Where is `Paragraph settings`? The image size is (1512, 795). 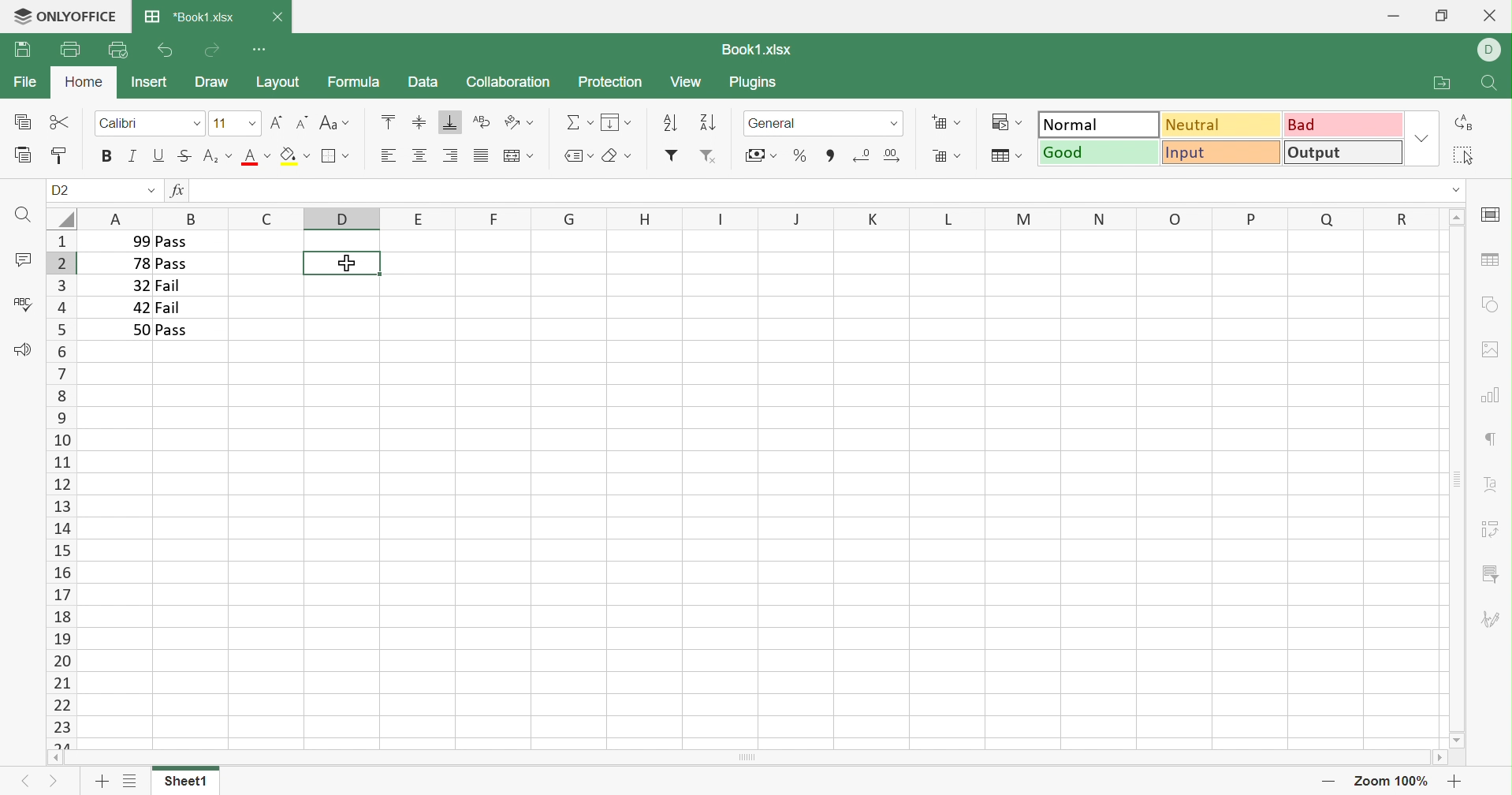 Paragraph settings is located at coordinates (1495, 438).